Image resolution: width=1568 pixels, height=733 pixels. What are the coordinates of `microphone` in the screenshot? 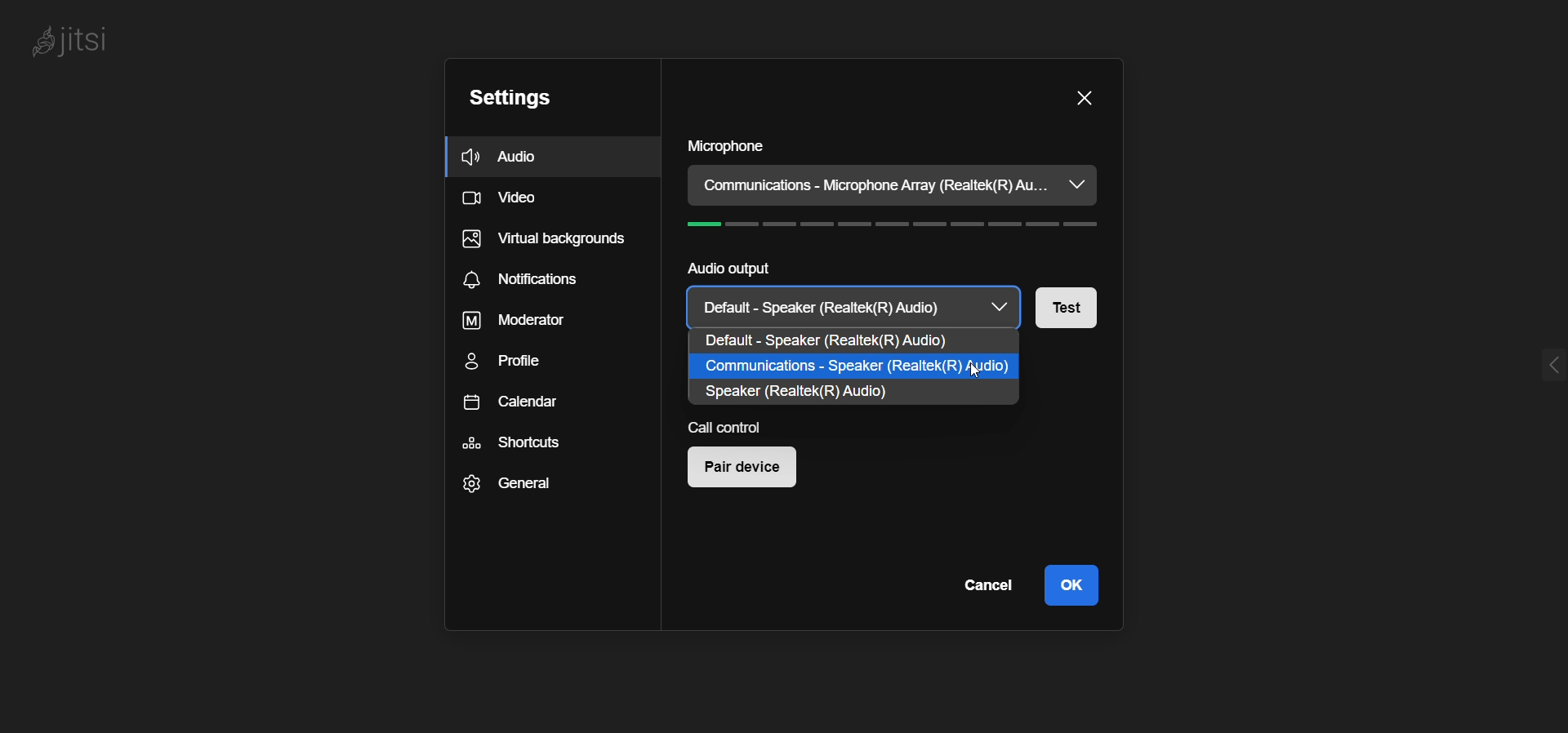 It's located at (726, 147).